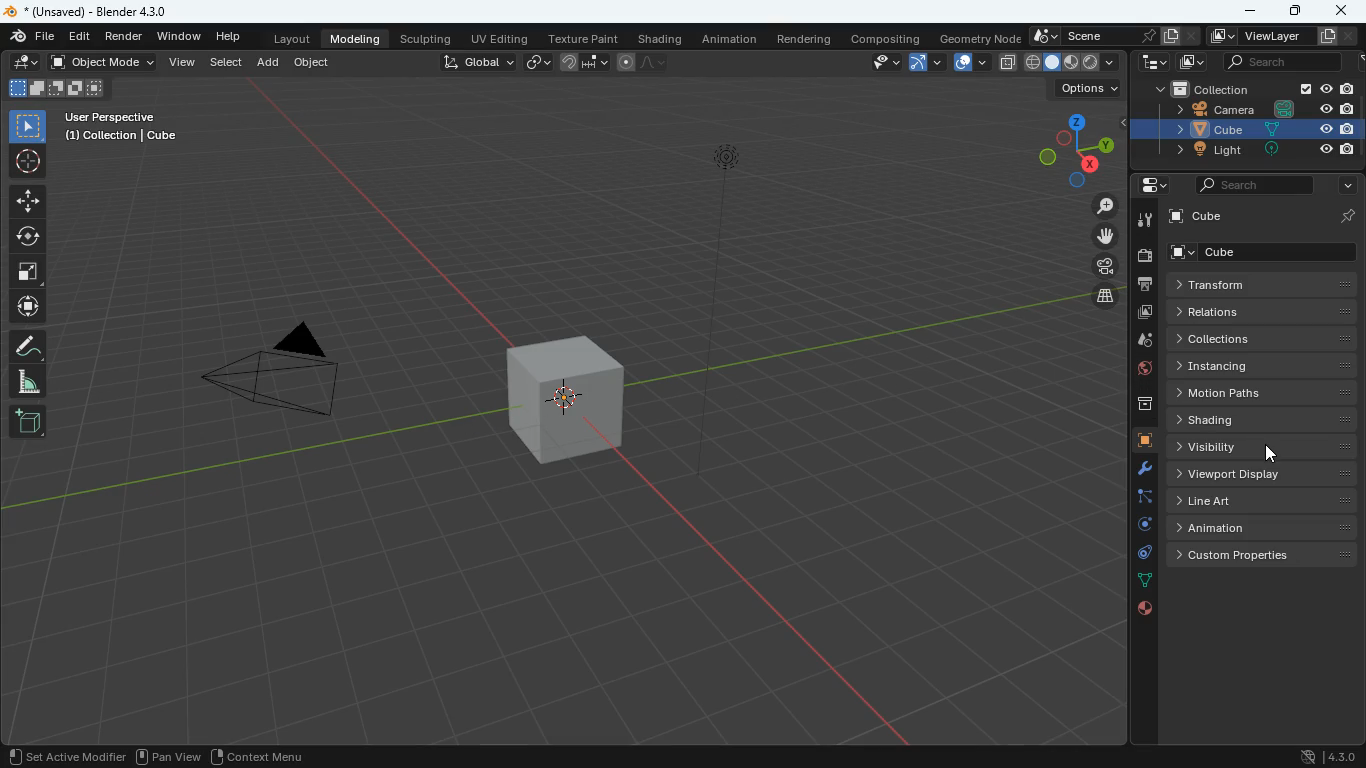 This screenshot has height=768, width=1366. Describe the element at coordinates (356, 38) in the screenshot. I see `modeling` at that location.